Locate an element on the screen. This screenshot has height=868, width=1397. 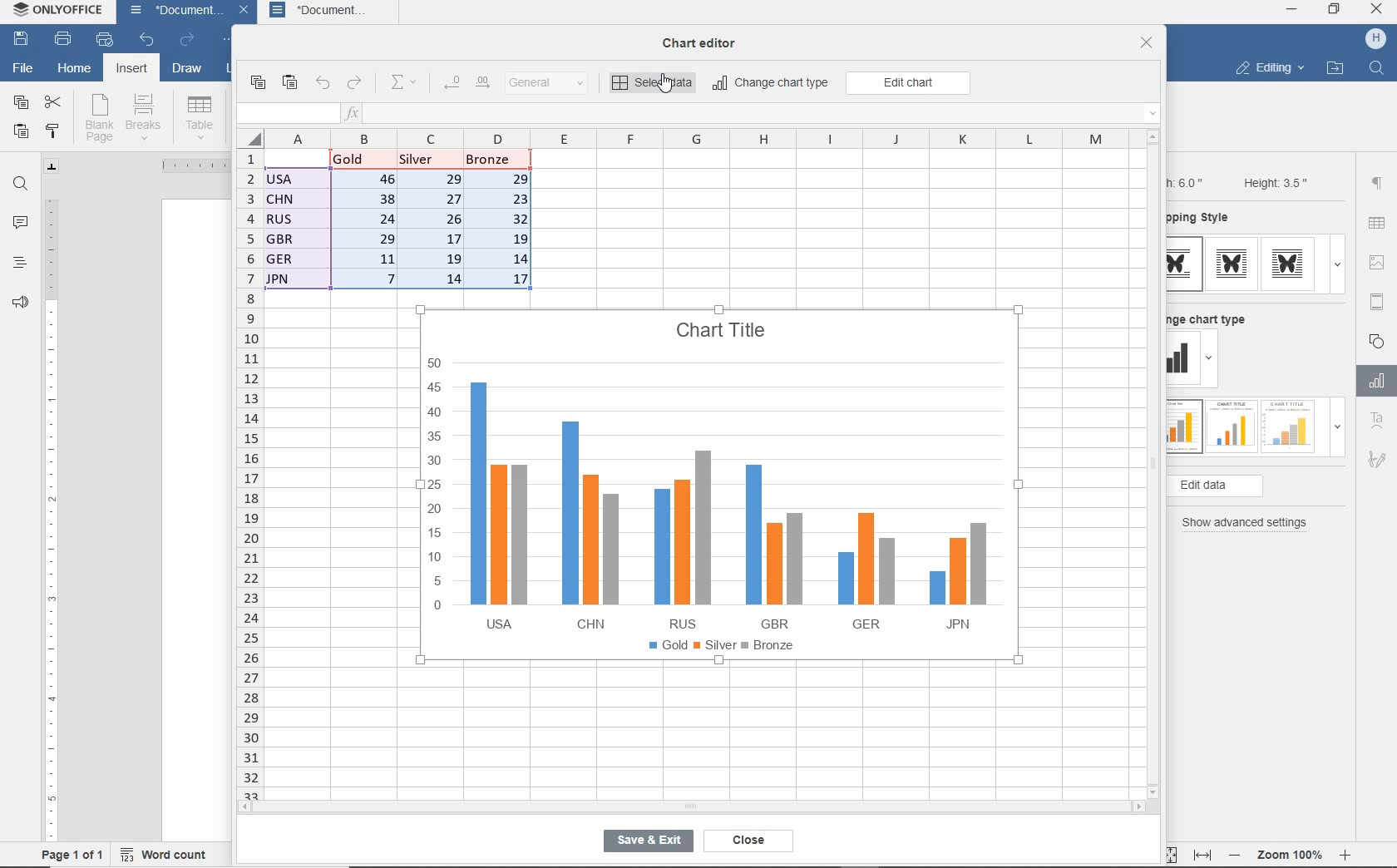
draw is located at coordinates (188, 71).